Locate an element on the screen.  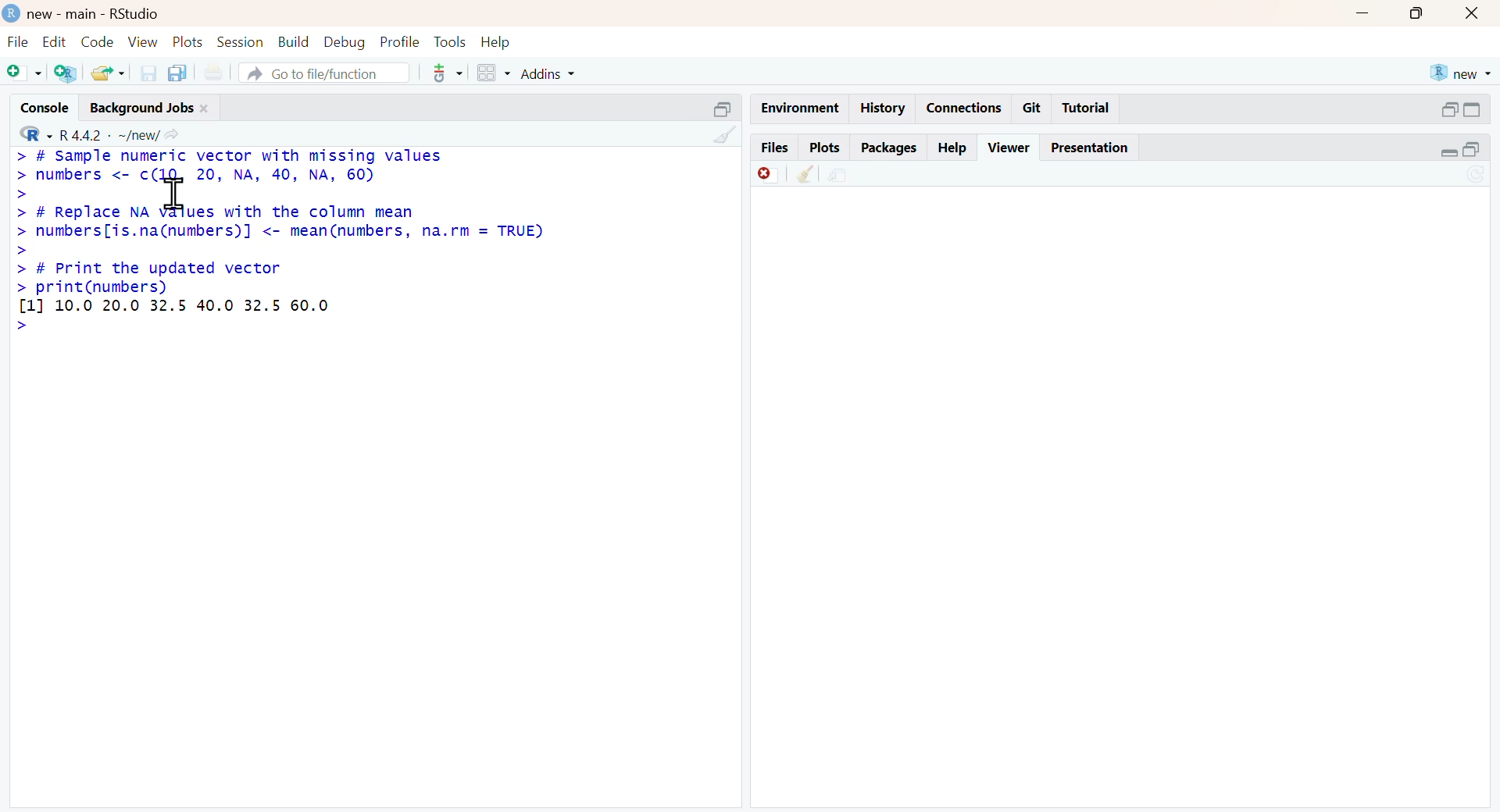
add file as is located at coordinates (25, 73).